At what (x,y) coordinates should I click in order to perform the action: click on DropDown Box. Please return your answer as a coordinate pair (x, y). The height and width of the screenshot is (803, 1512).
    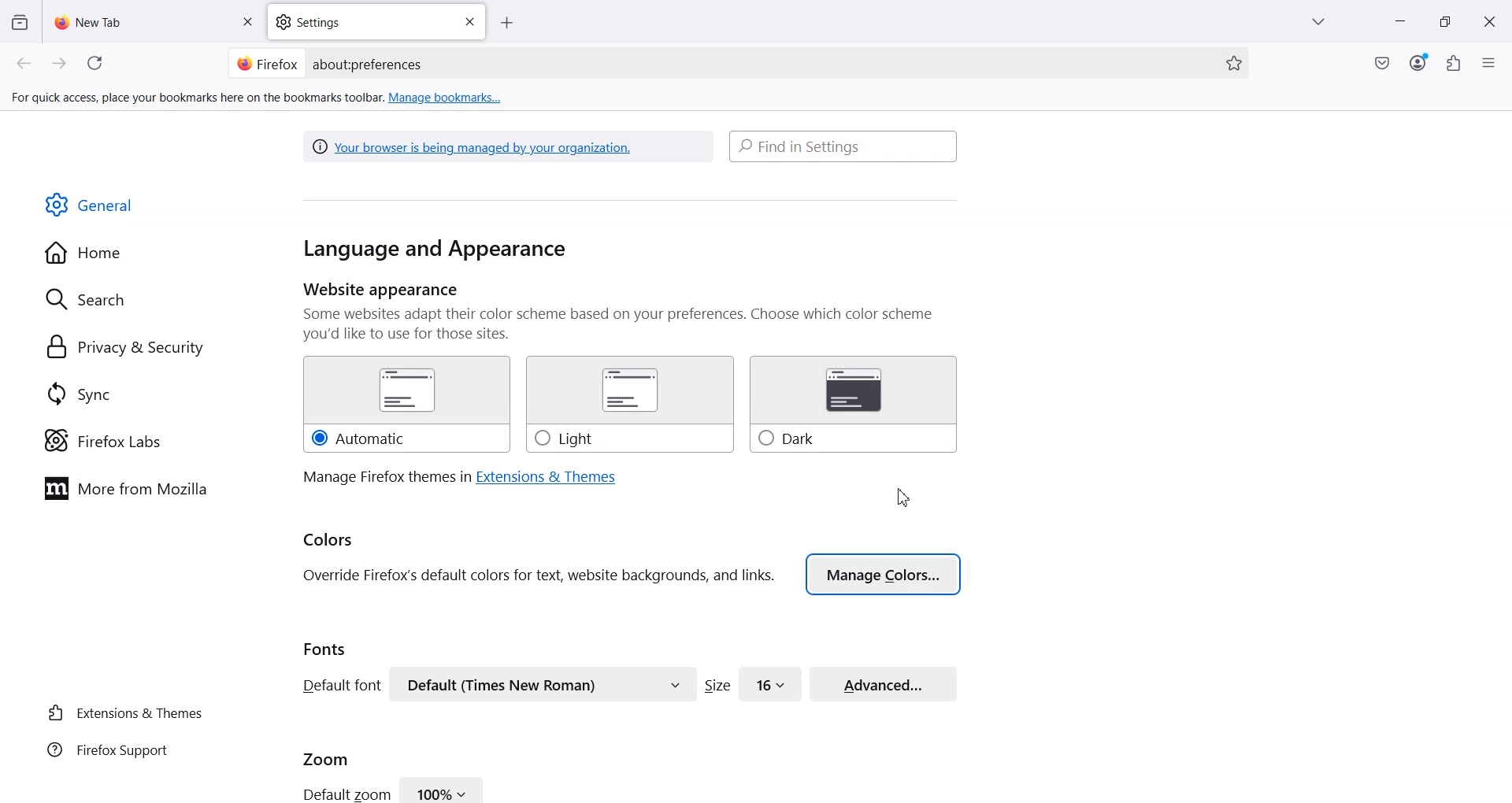
    Looking at the image, I should click on (1322, 22).